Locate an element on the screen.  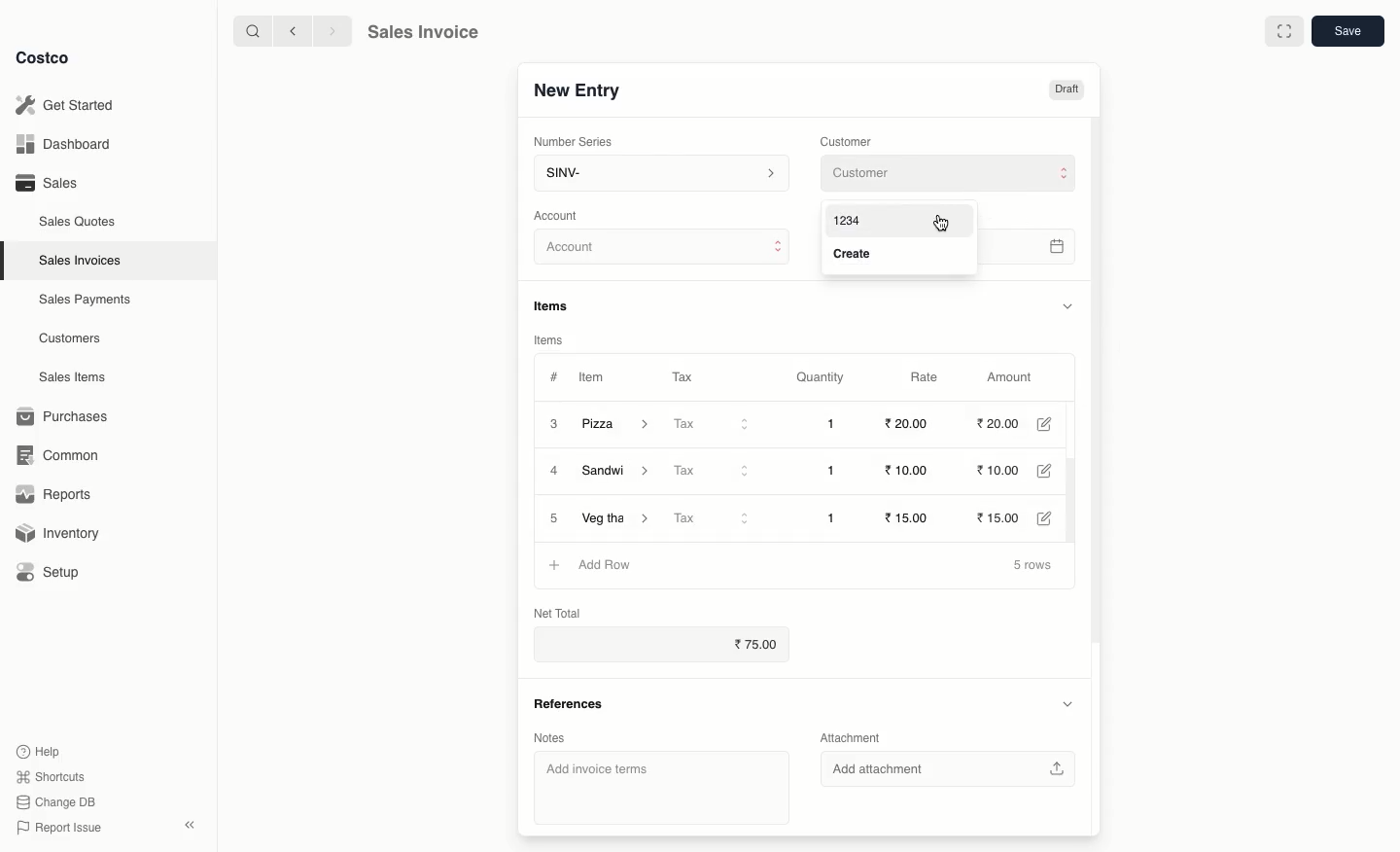
‘Number Series is located at coordinates (570, 142).